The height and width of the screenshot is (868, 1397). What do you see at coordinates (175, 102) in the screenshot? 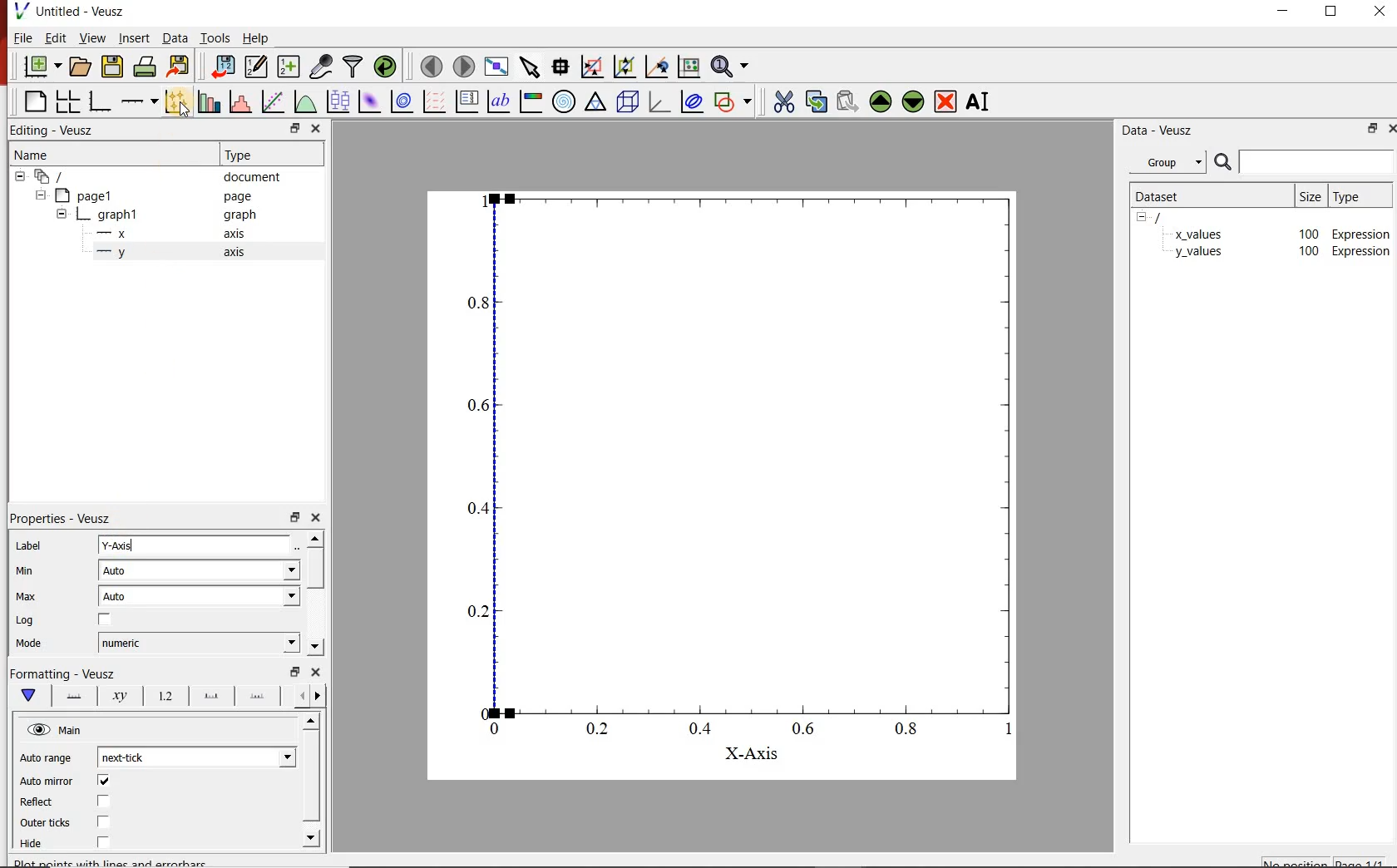
I see `plot points` at bounding box center [175, 102].